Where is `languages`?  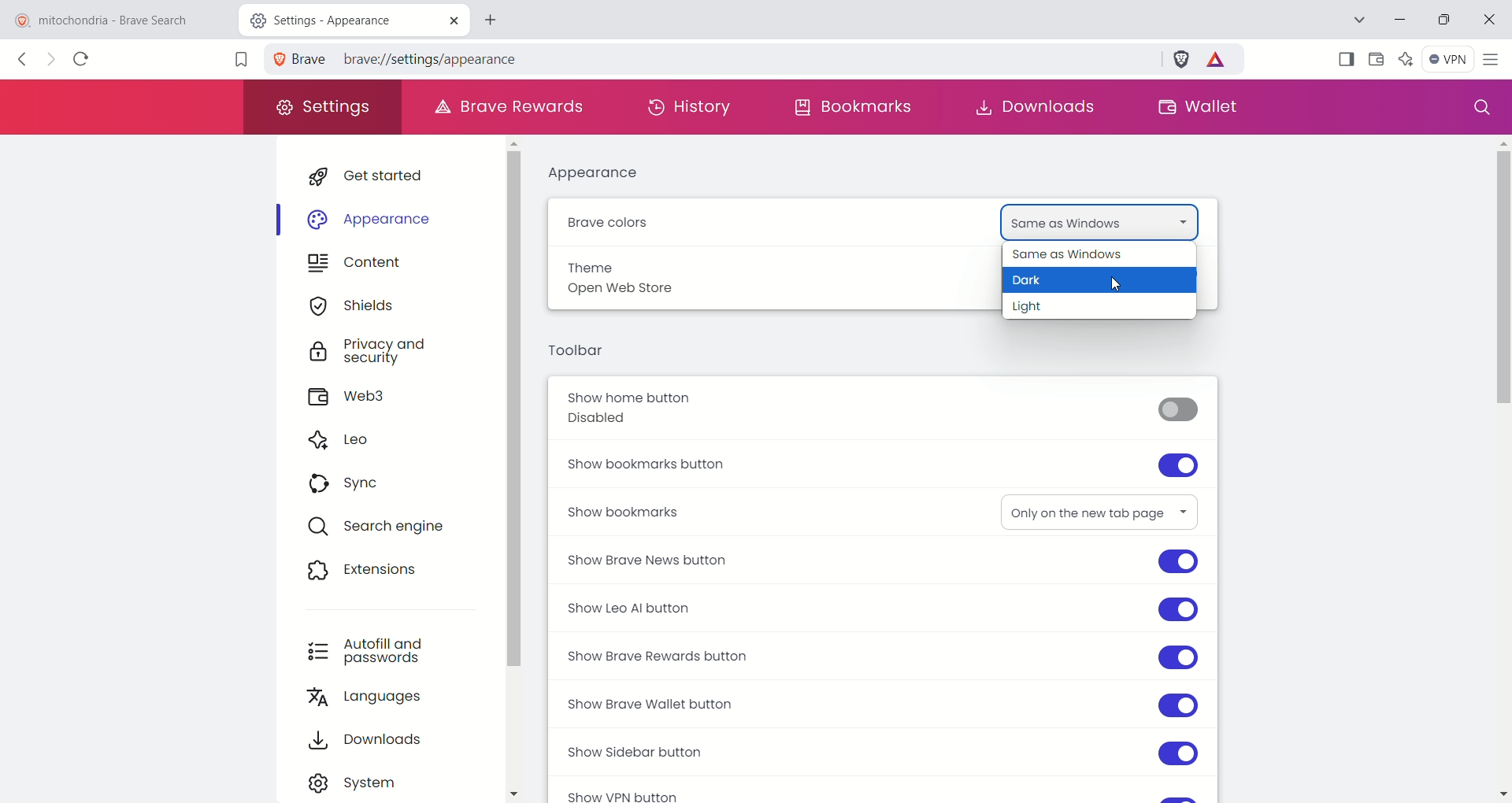
languages is located at coordinates (375, 700).